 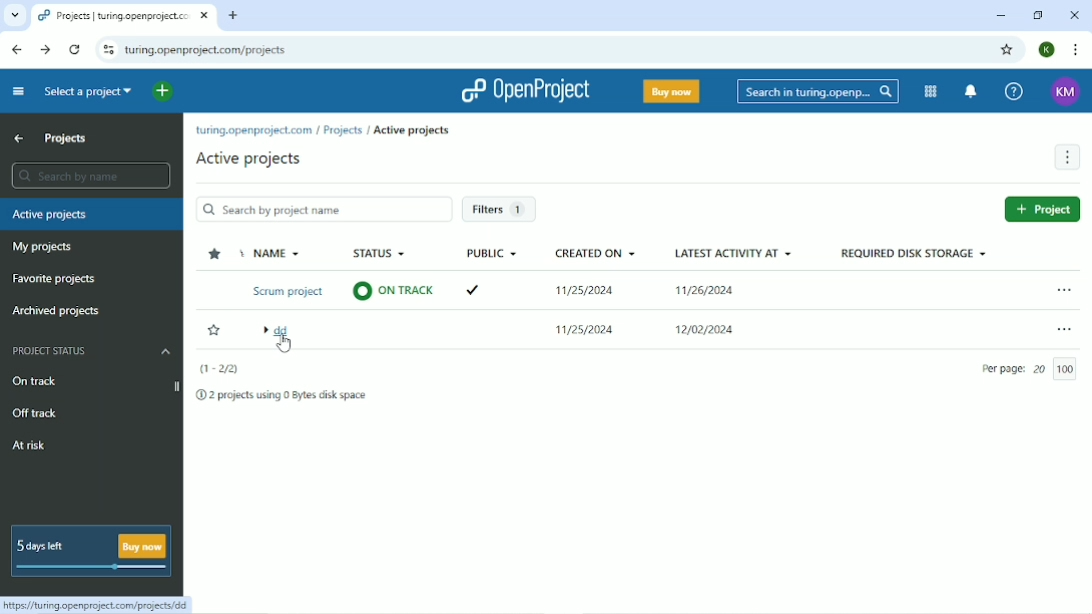 What do you see at coordinates (1049, 49) in the screenshot?
I see `Account` at bounding box center [1049, 49].